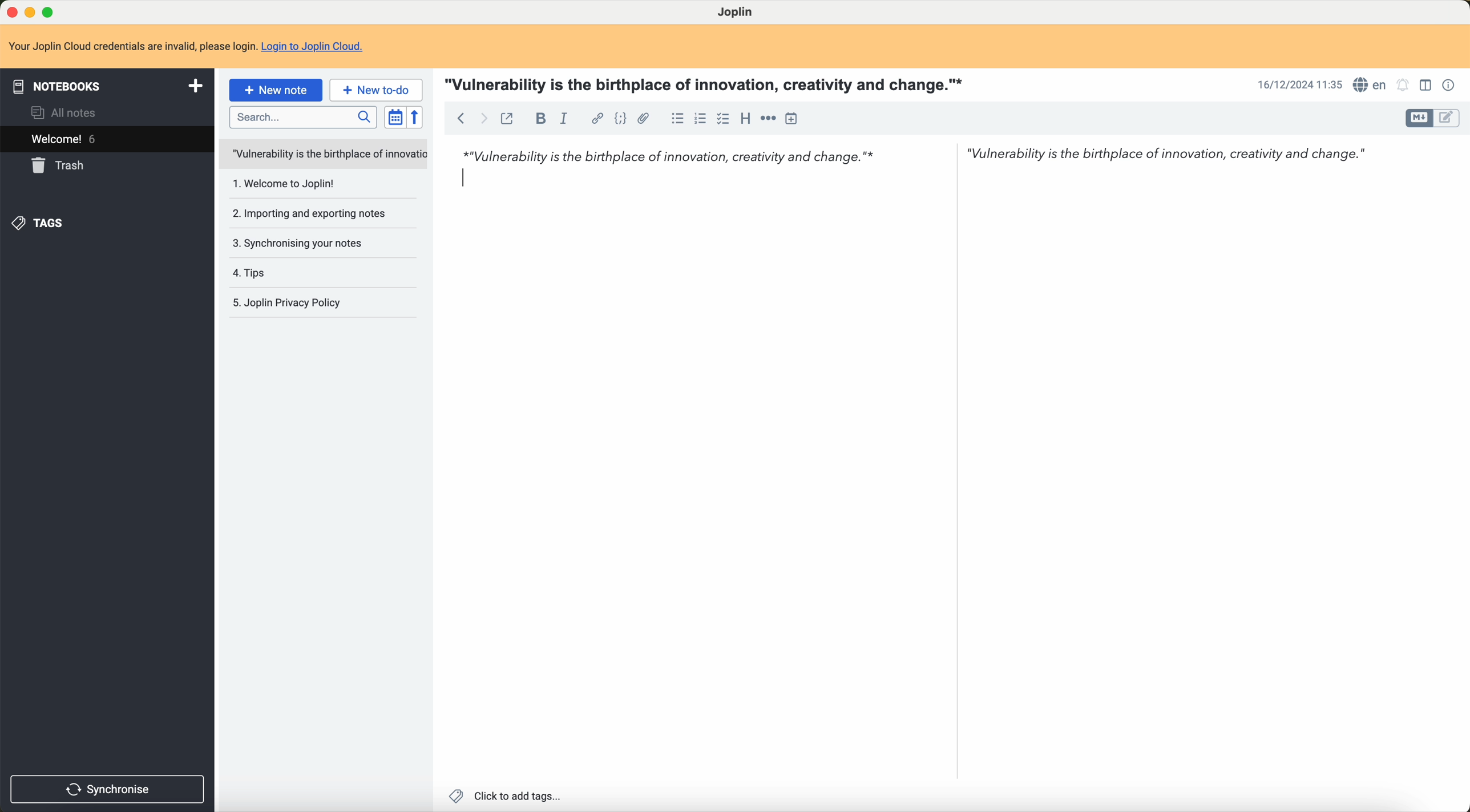  Describe the element at coordinates (723, 119) in the screenshot. I see `checkbox` at that location.